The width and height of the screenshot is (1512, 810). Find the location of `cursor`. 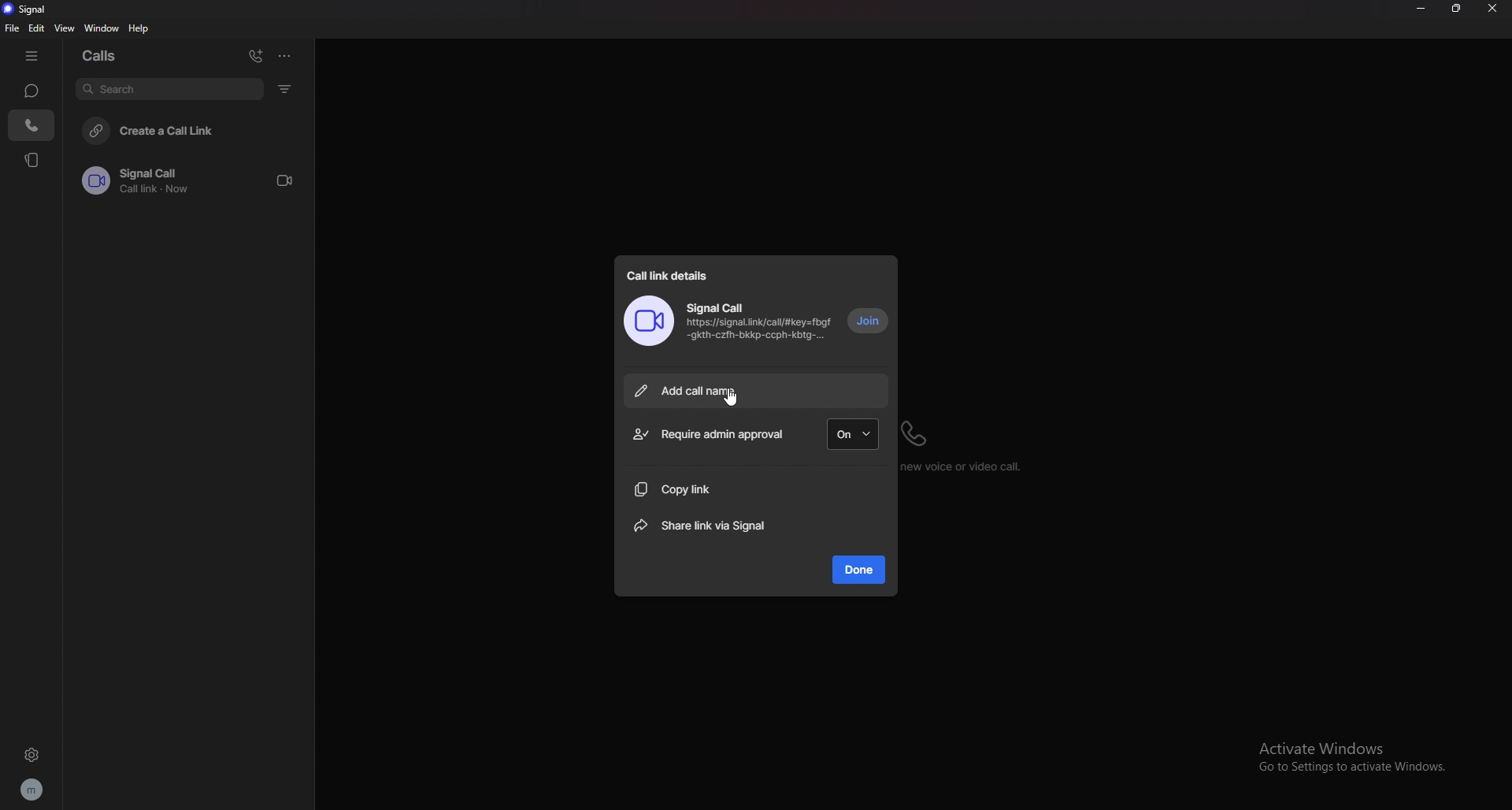

cursor is located at coordinates (729, 398).